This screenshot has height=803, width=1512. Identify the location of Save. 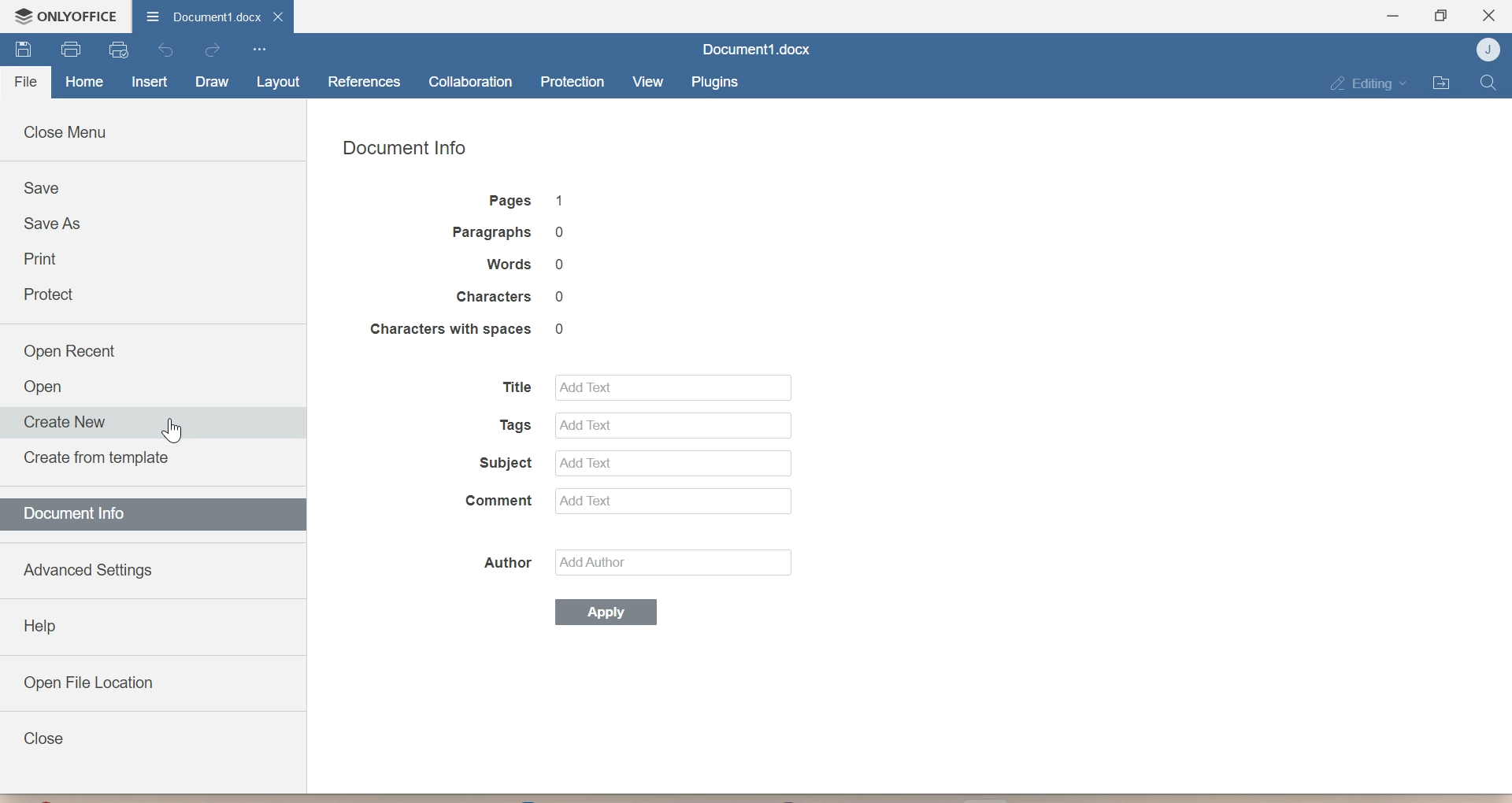
(42, 187).